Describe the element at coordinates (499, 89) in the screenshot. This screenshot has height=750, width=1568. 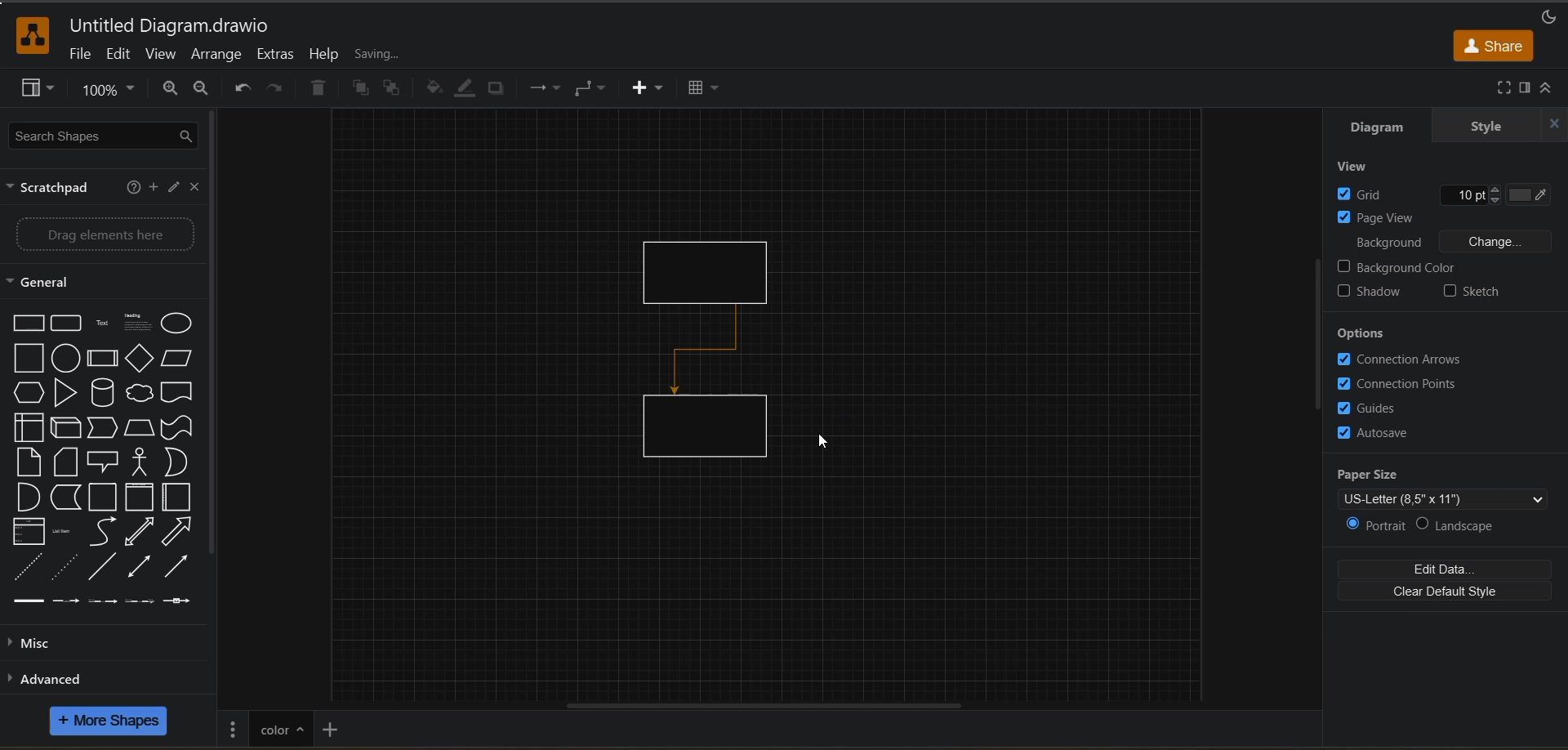
I see `shadow` at that location.